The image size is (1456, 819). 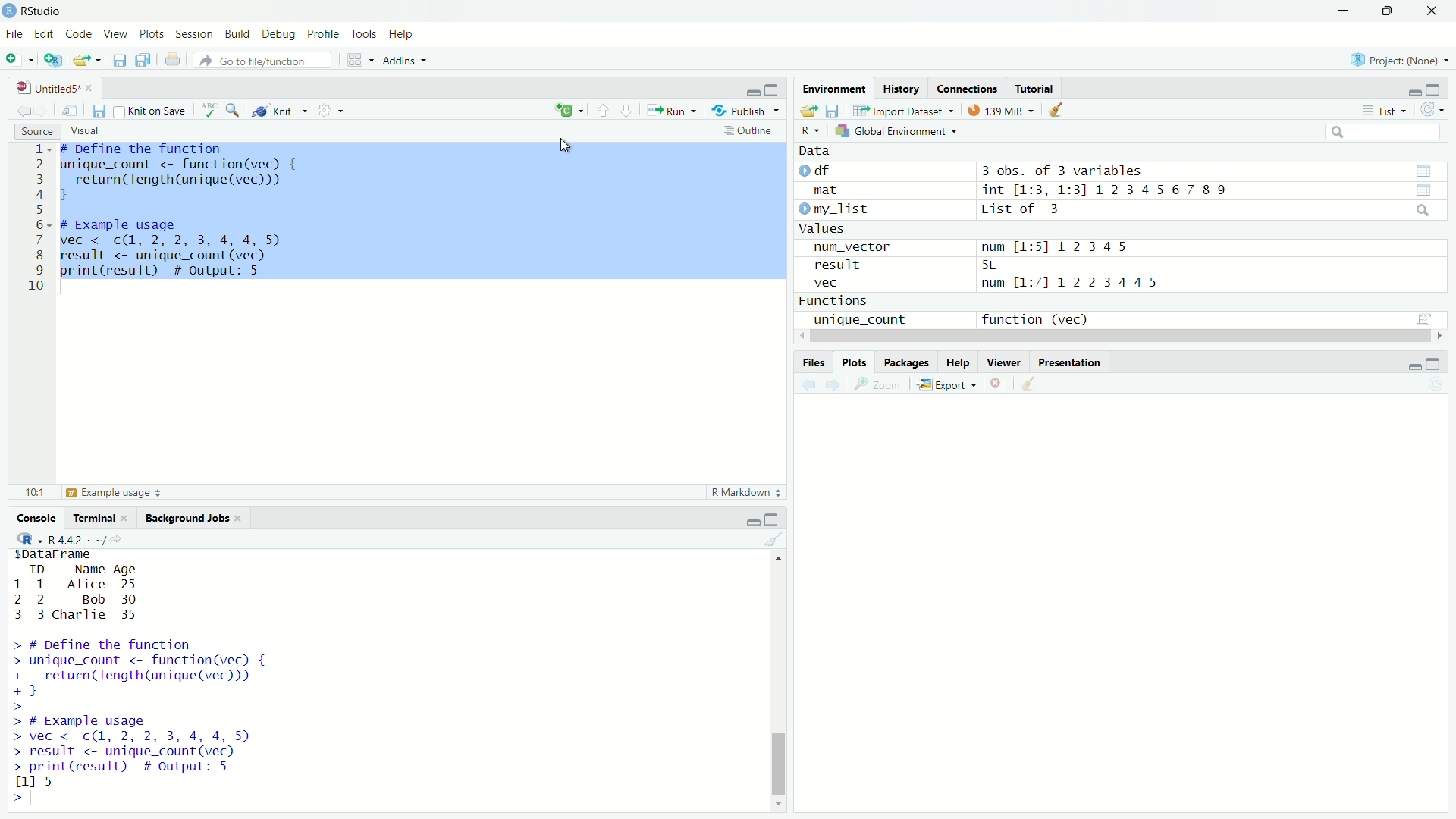 I want to click on view data, so click(x=1423, y=191).